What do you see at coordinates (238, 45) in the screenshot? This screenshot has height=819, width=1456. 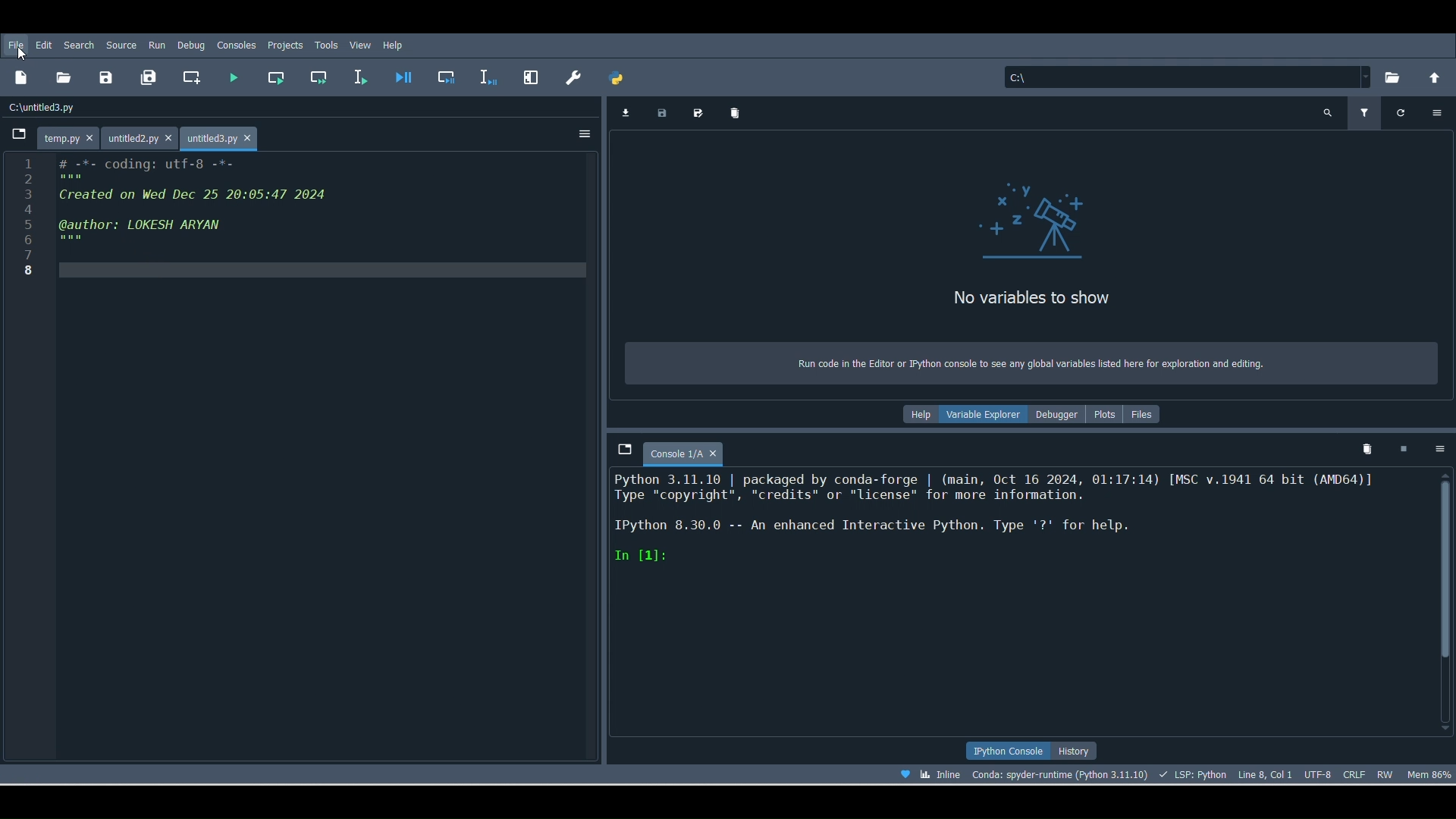 I see `Consoles` at bounding box center [238, 45].